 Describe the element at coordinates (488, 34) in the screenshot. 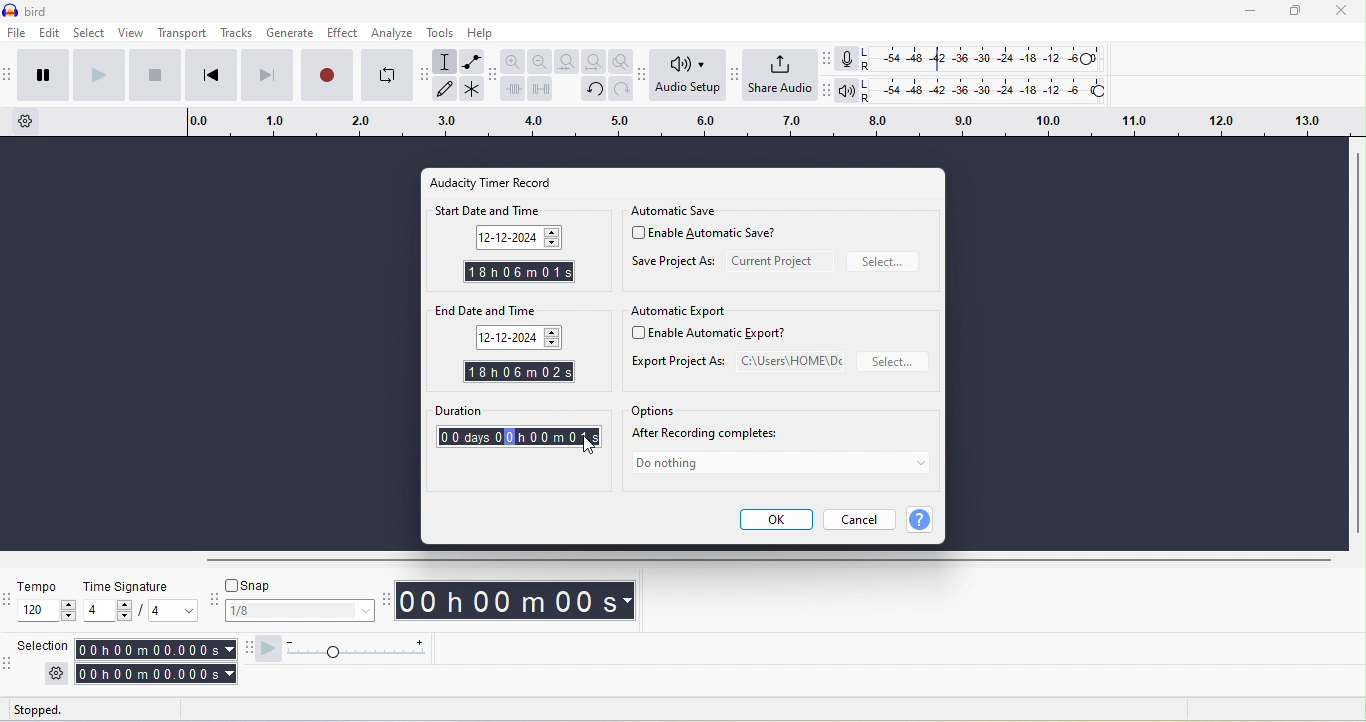

I see `help` at that location.